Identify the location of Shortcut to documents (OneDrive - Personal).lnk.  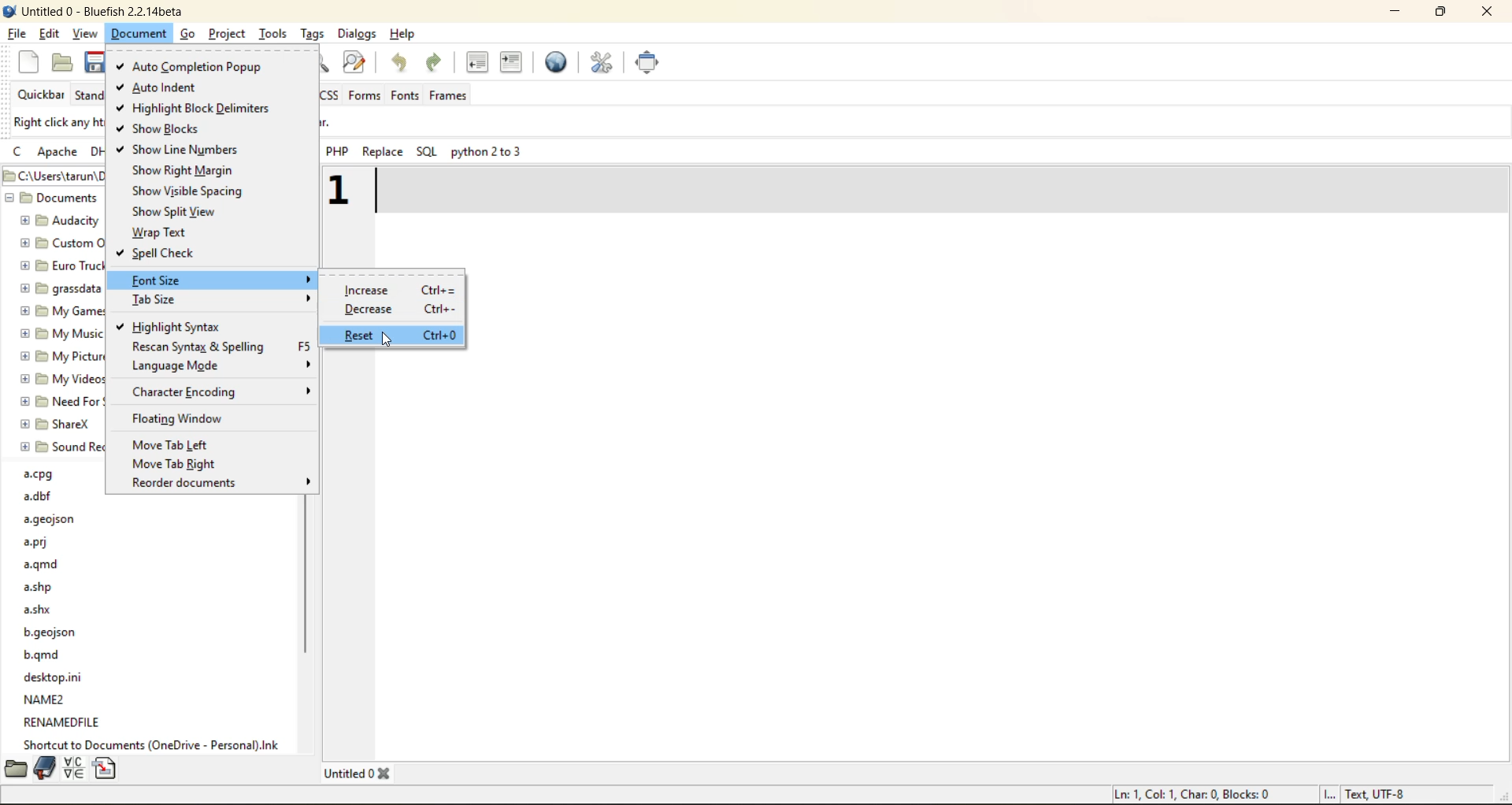
(154, 744).